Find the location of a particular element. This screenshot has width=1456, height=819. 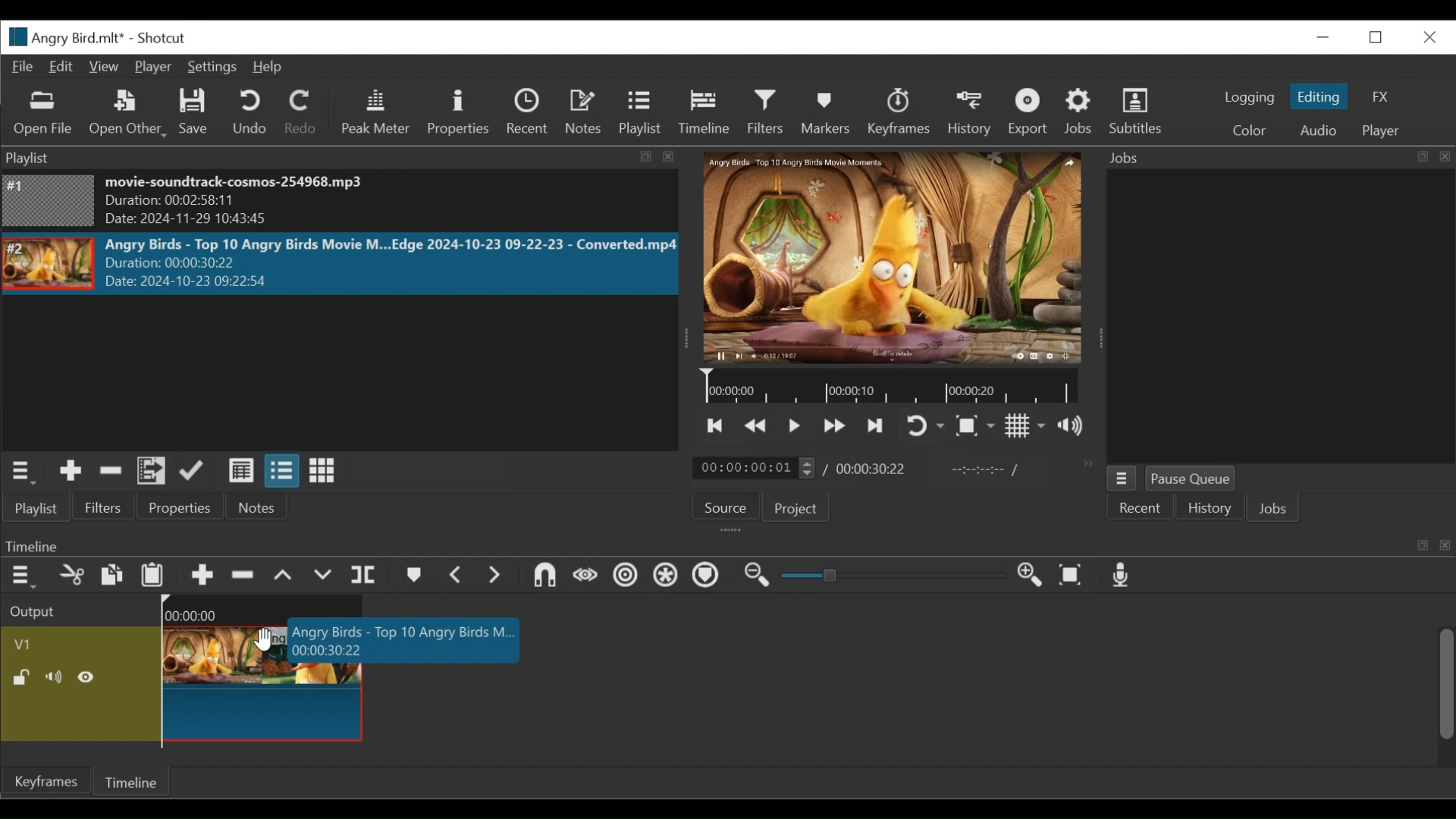

Split Playhead is located at coordinates (363, 576).